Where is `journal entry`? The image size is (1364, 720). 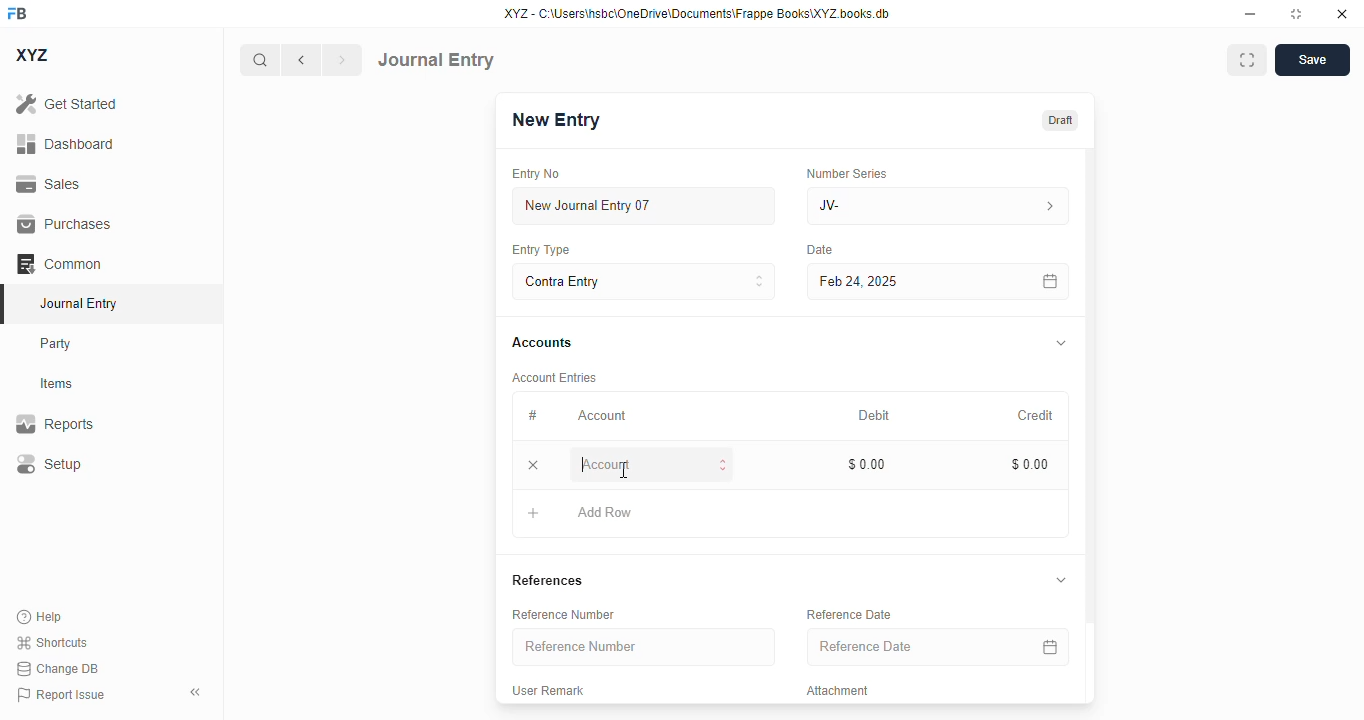 journal entry is located at coordinates (80, 303).